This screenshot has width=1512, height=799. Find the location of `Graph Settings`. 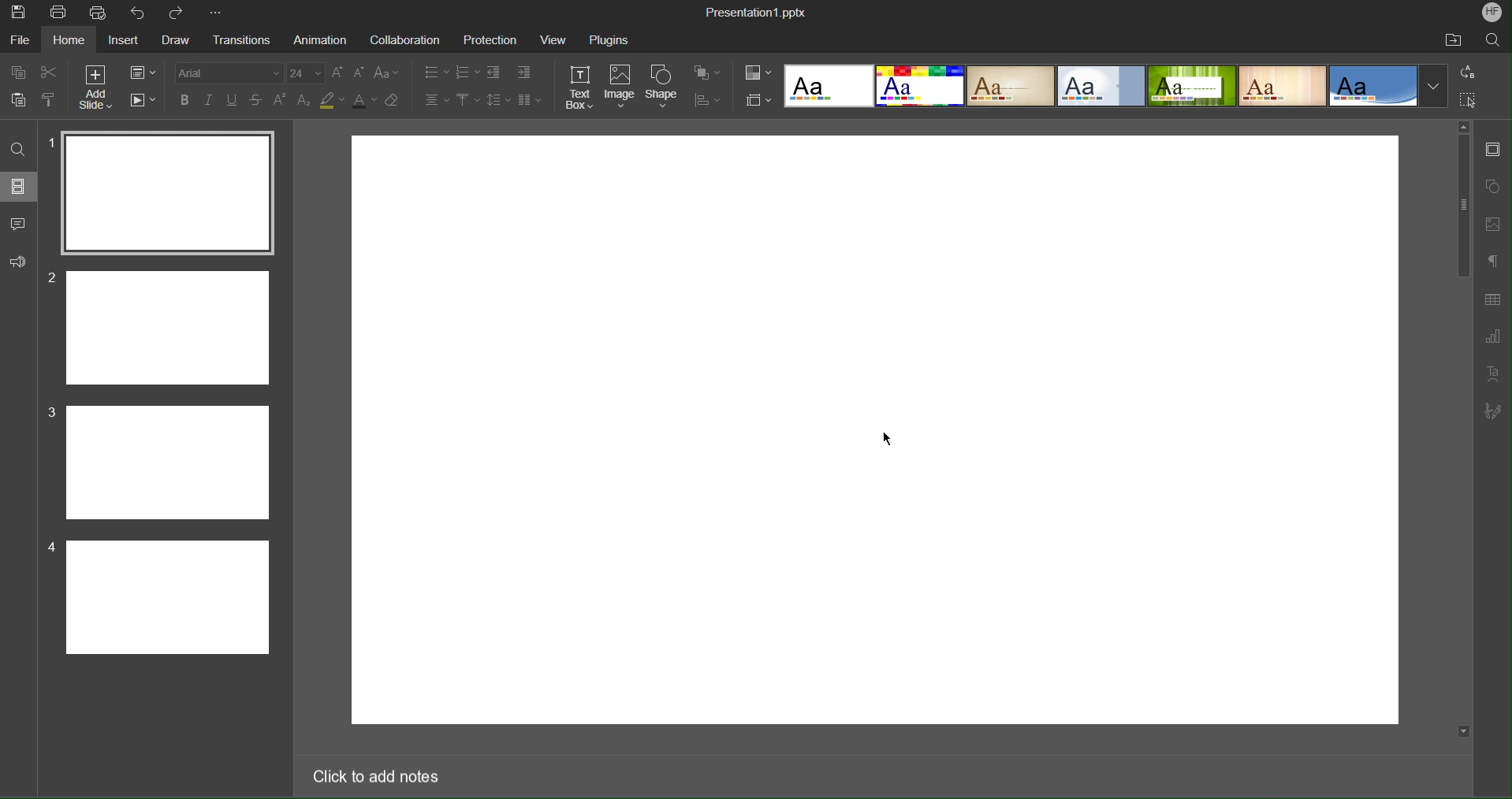

Graph Settings is located at coordinates (1492, 335).